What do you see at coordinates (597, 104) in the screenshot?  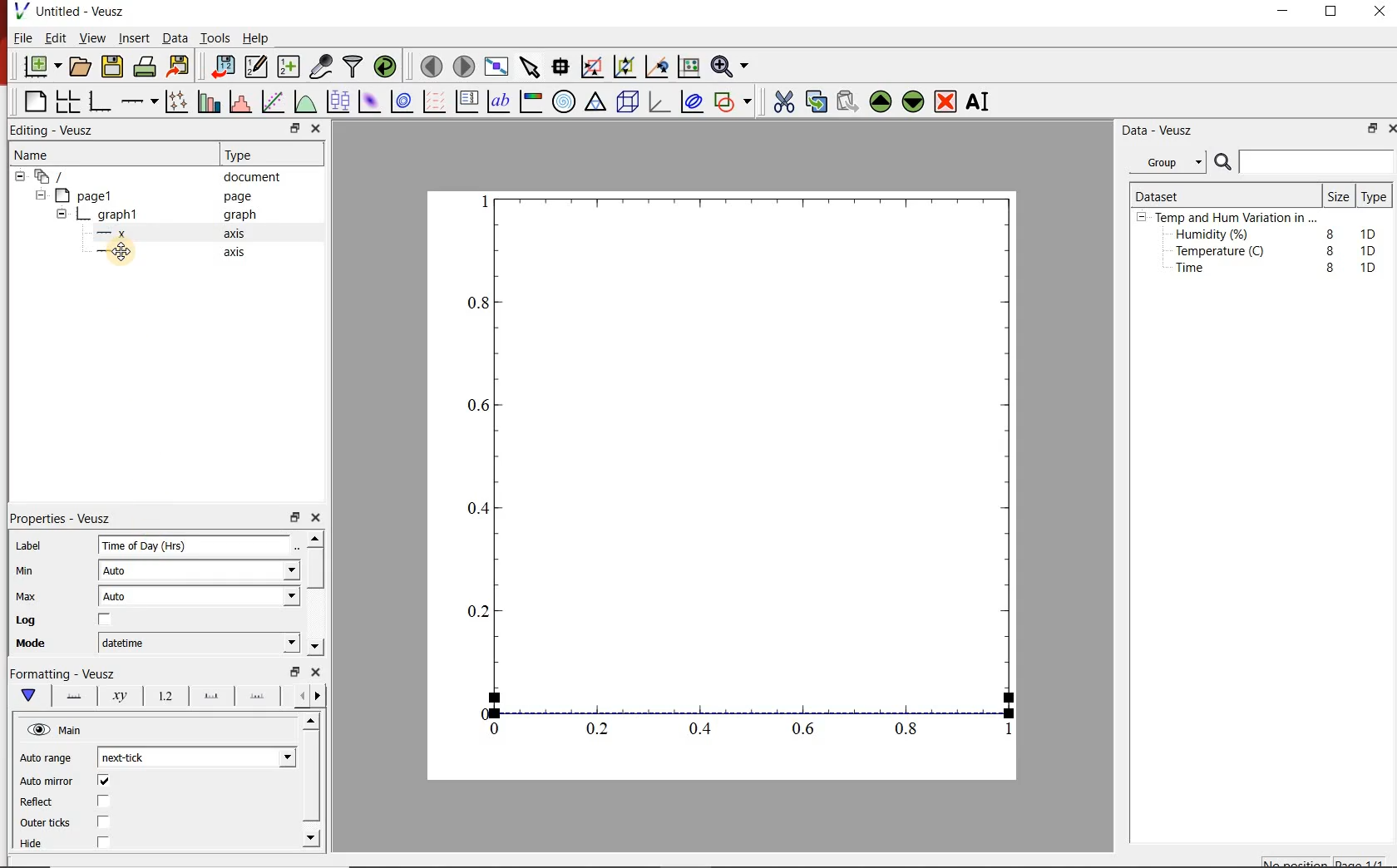 I see `ternary graph` at bounding box center [597, 104].